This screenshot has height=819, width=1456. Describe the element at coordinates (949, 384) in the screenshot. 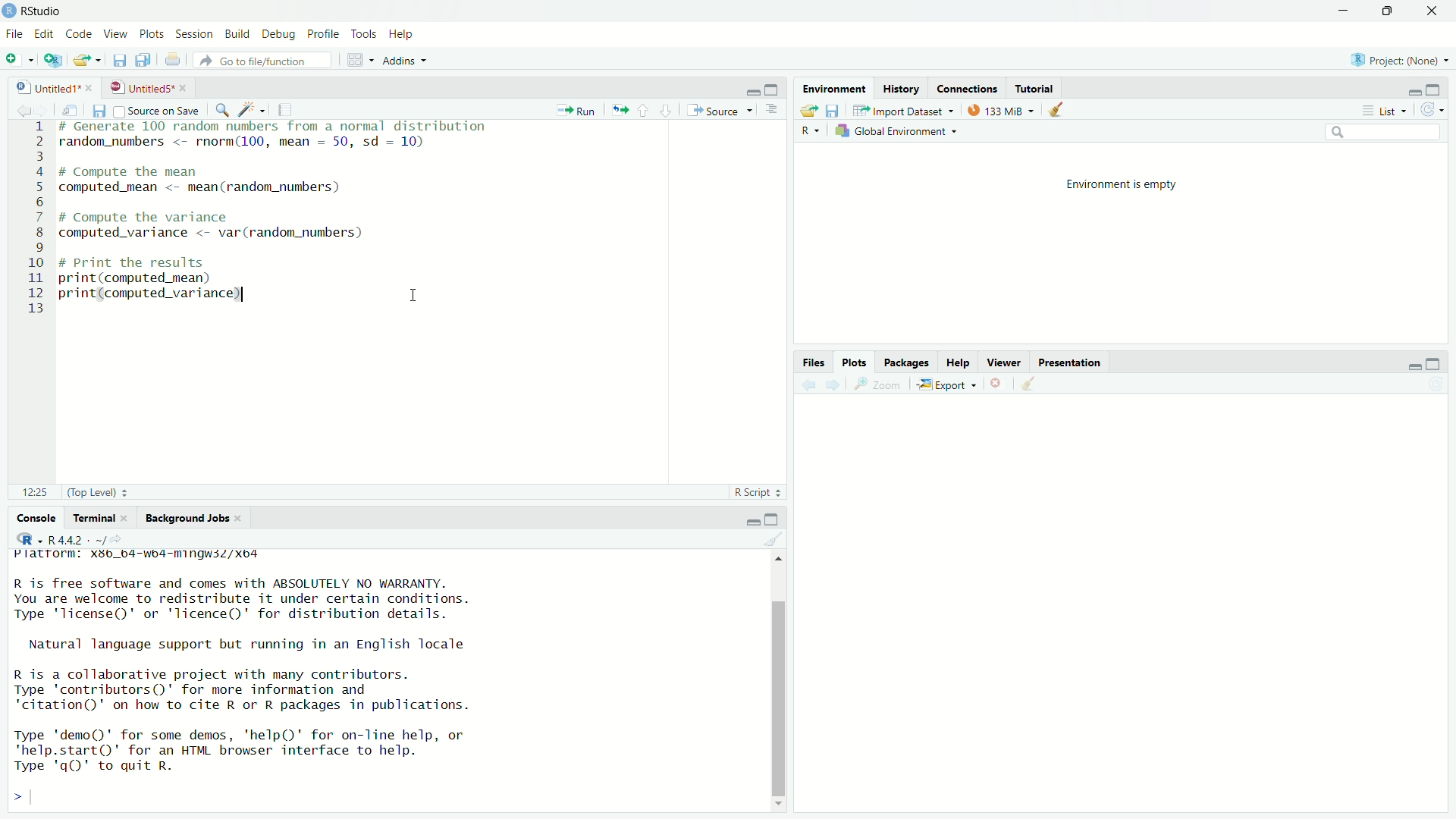

I see `export` at that location.